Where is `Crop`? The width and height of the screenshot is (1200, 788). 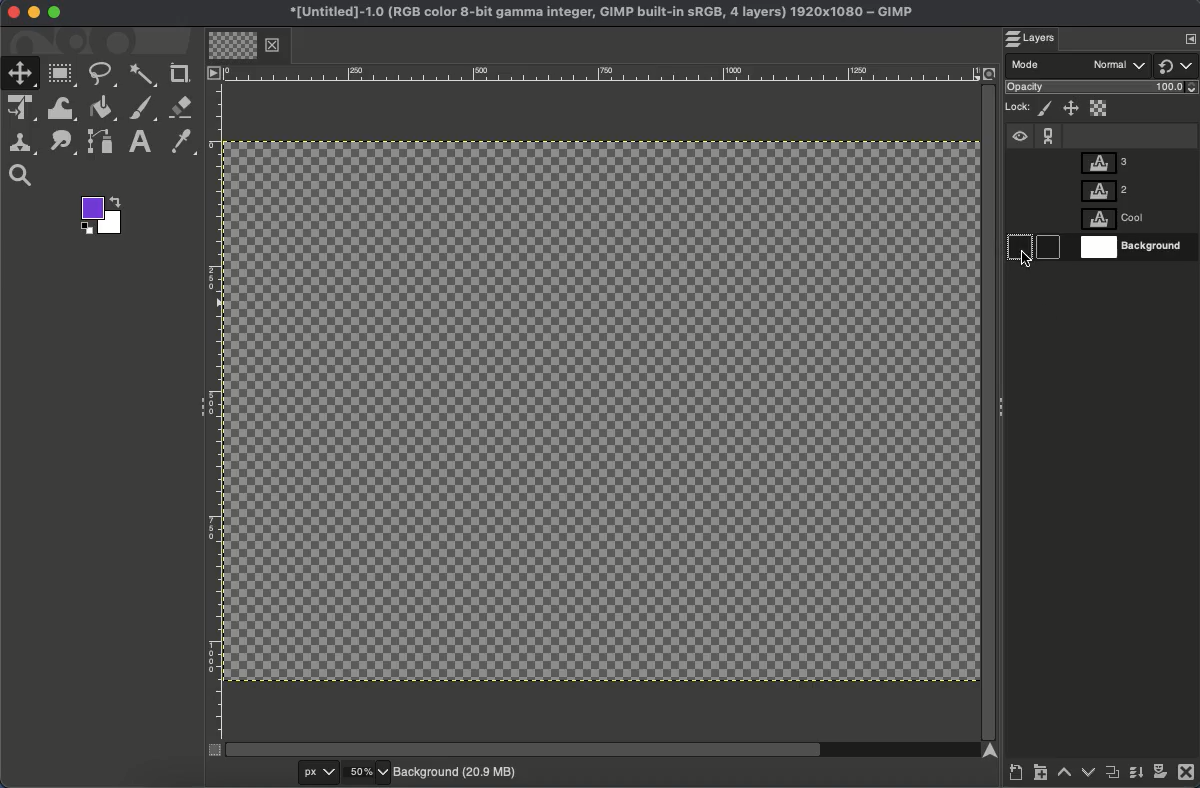 Crop is located at coordinates (181, 72).